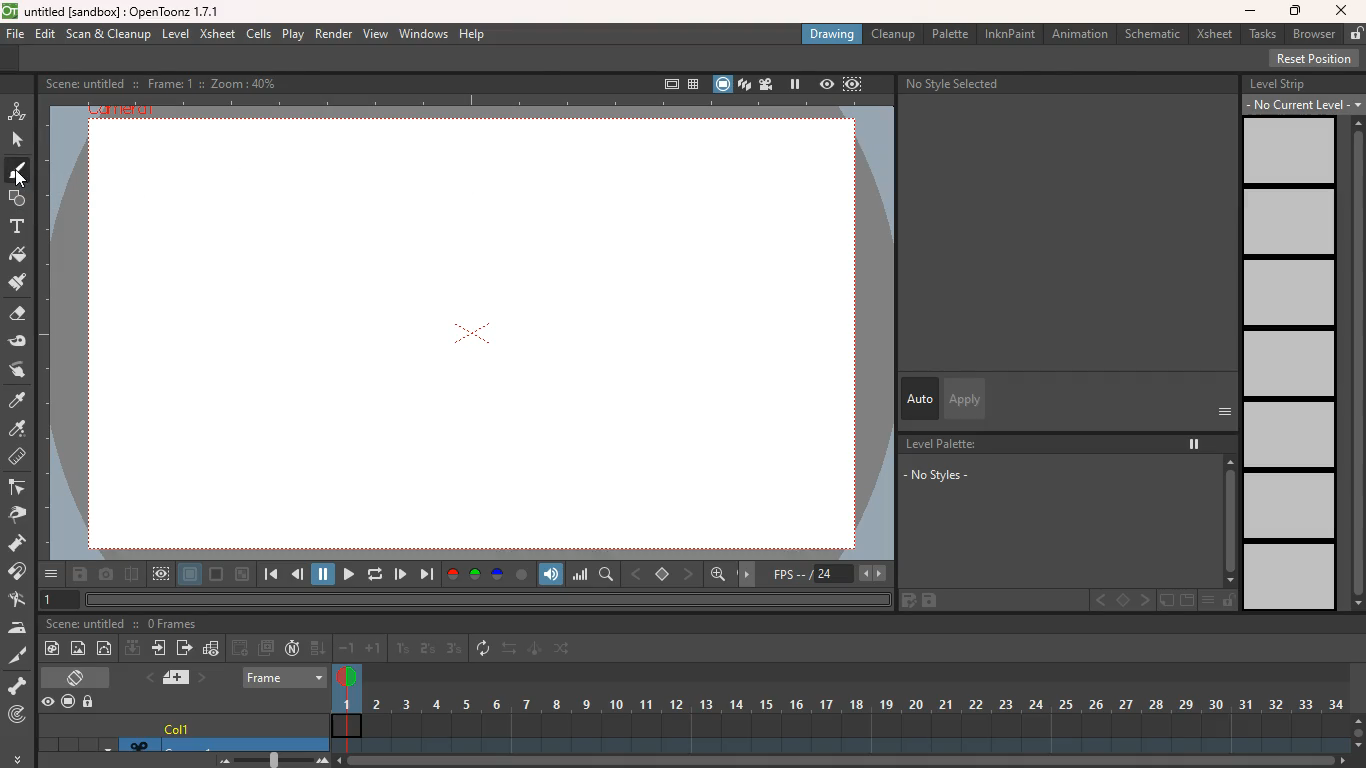 The image size is (1366, 768). I want to click on render, so click(332, 35).